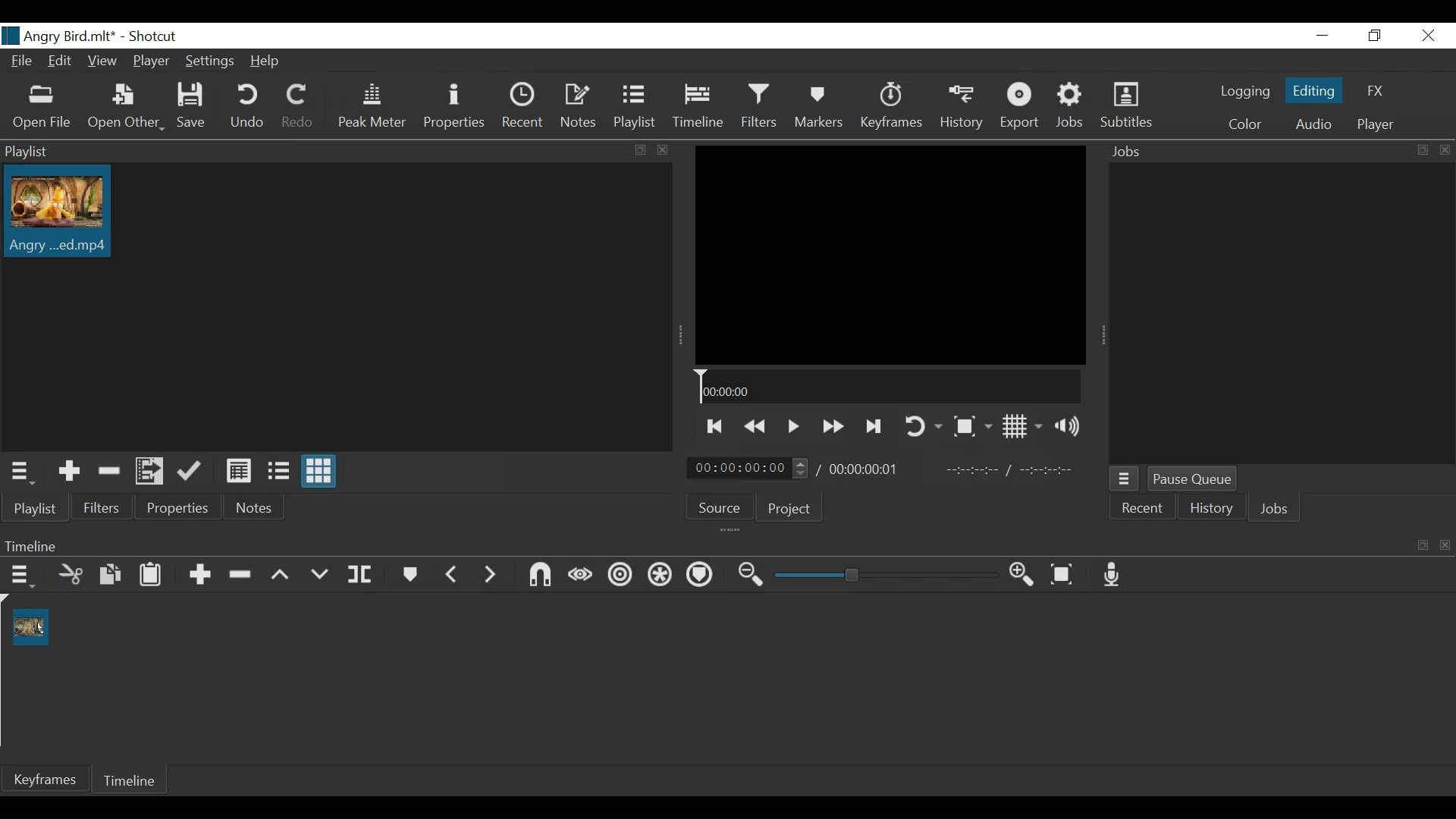  I want to click on Play quickly backward, so click(754, 427).